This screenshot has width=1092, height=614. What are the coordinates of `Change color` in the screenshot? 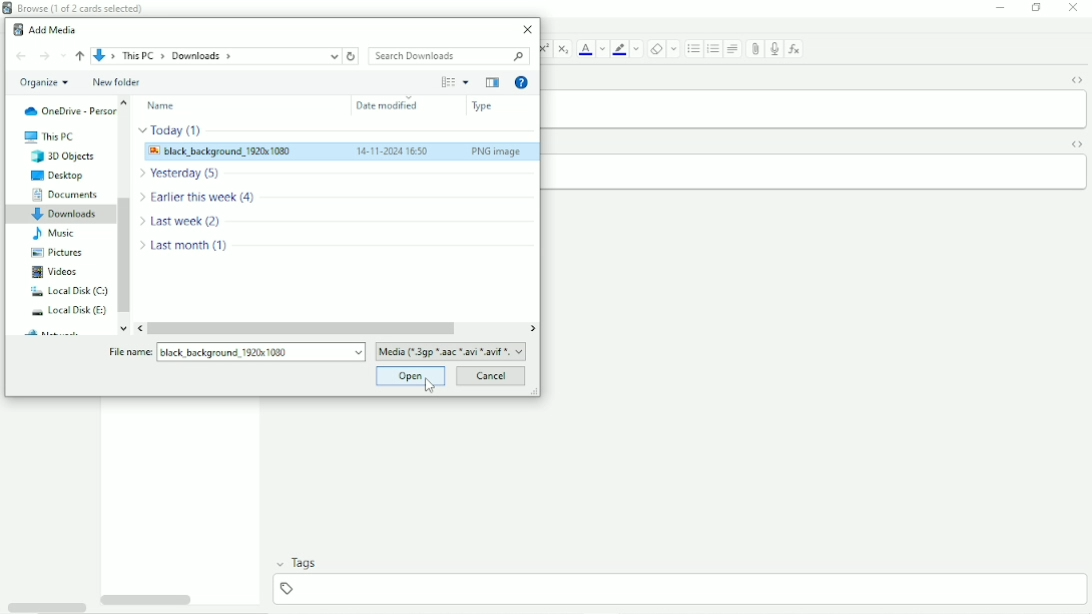 It's located at (636, 49).